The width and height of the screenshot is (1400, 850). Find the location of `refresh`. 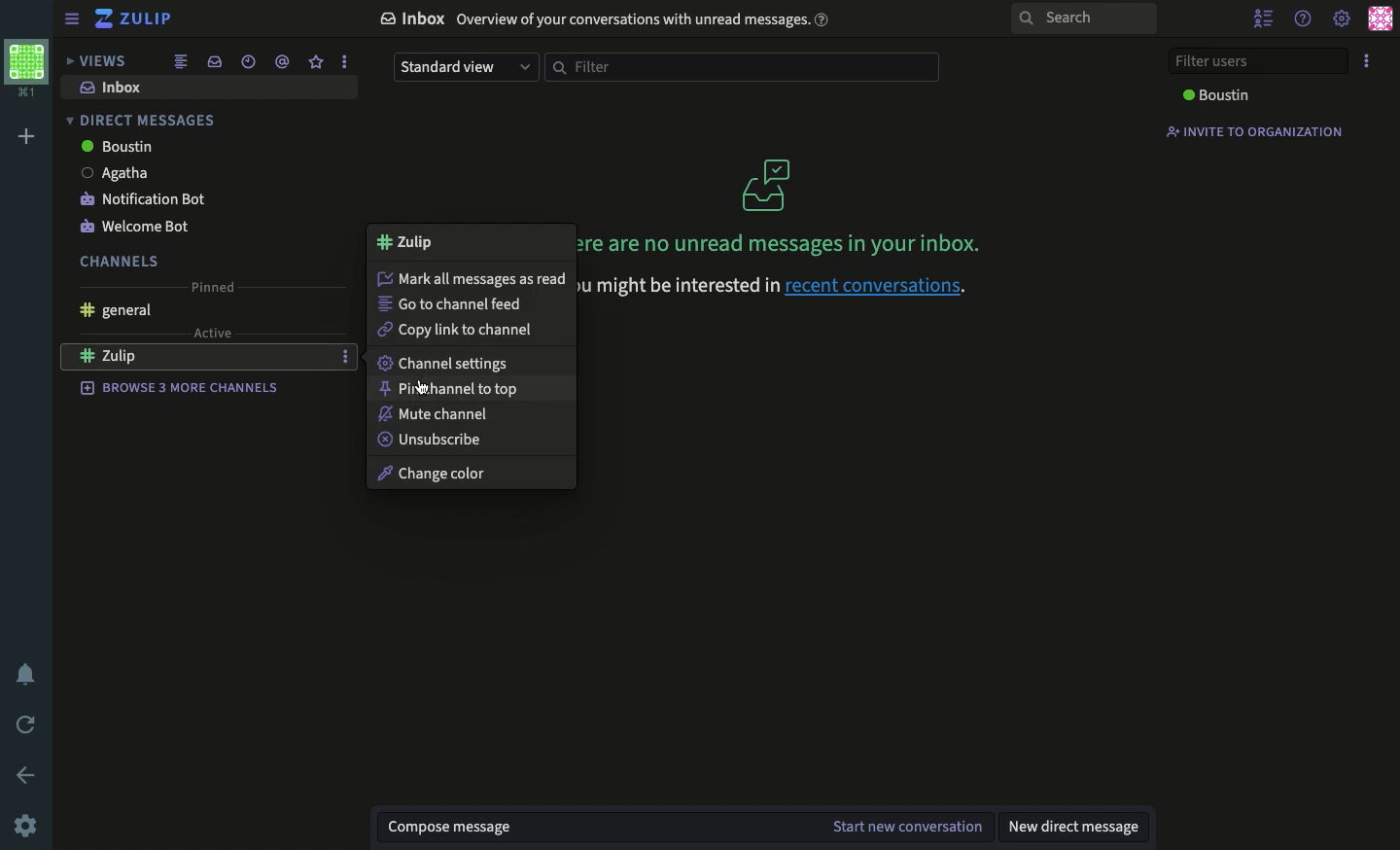

refresh is located at coordinates (30, 726).